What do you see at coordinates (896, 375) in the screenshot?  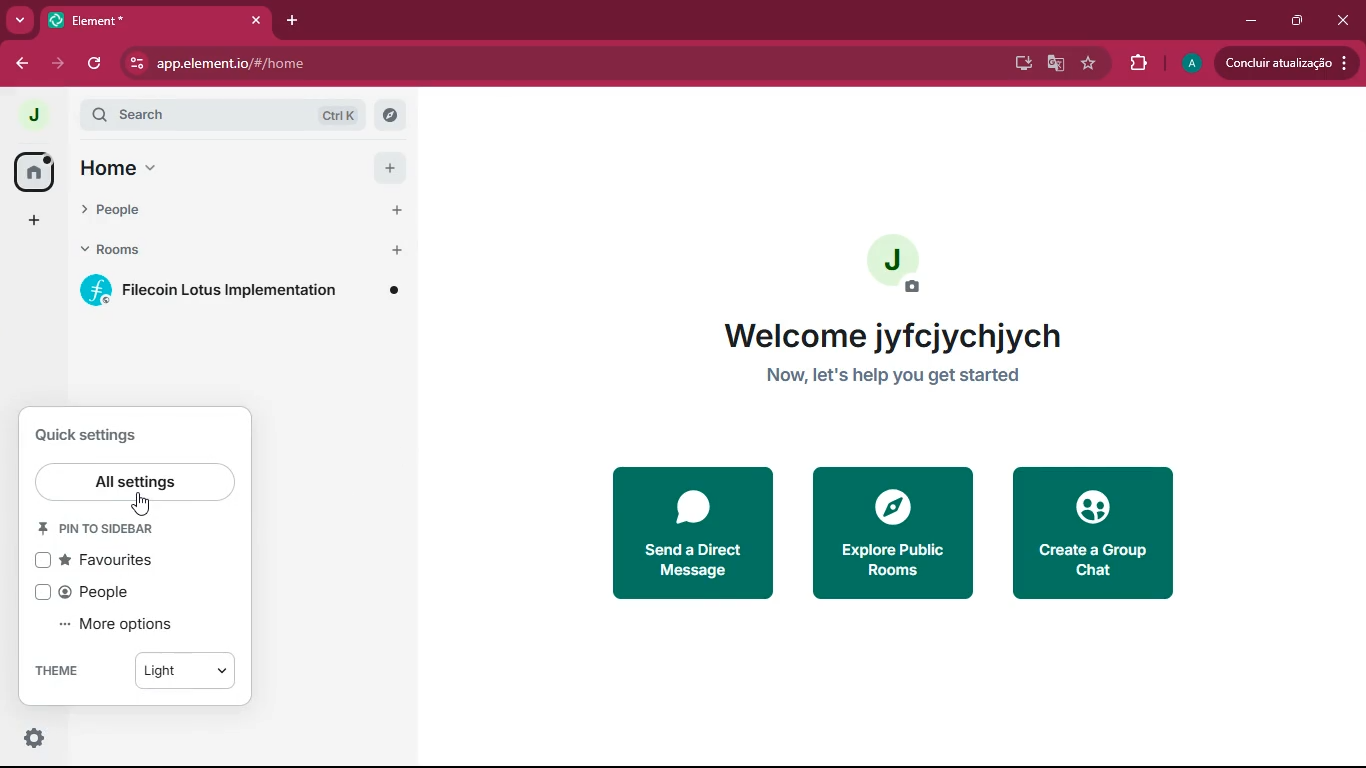 I see `now, let's help you get started` at bounding box center [896, 375].